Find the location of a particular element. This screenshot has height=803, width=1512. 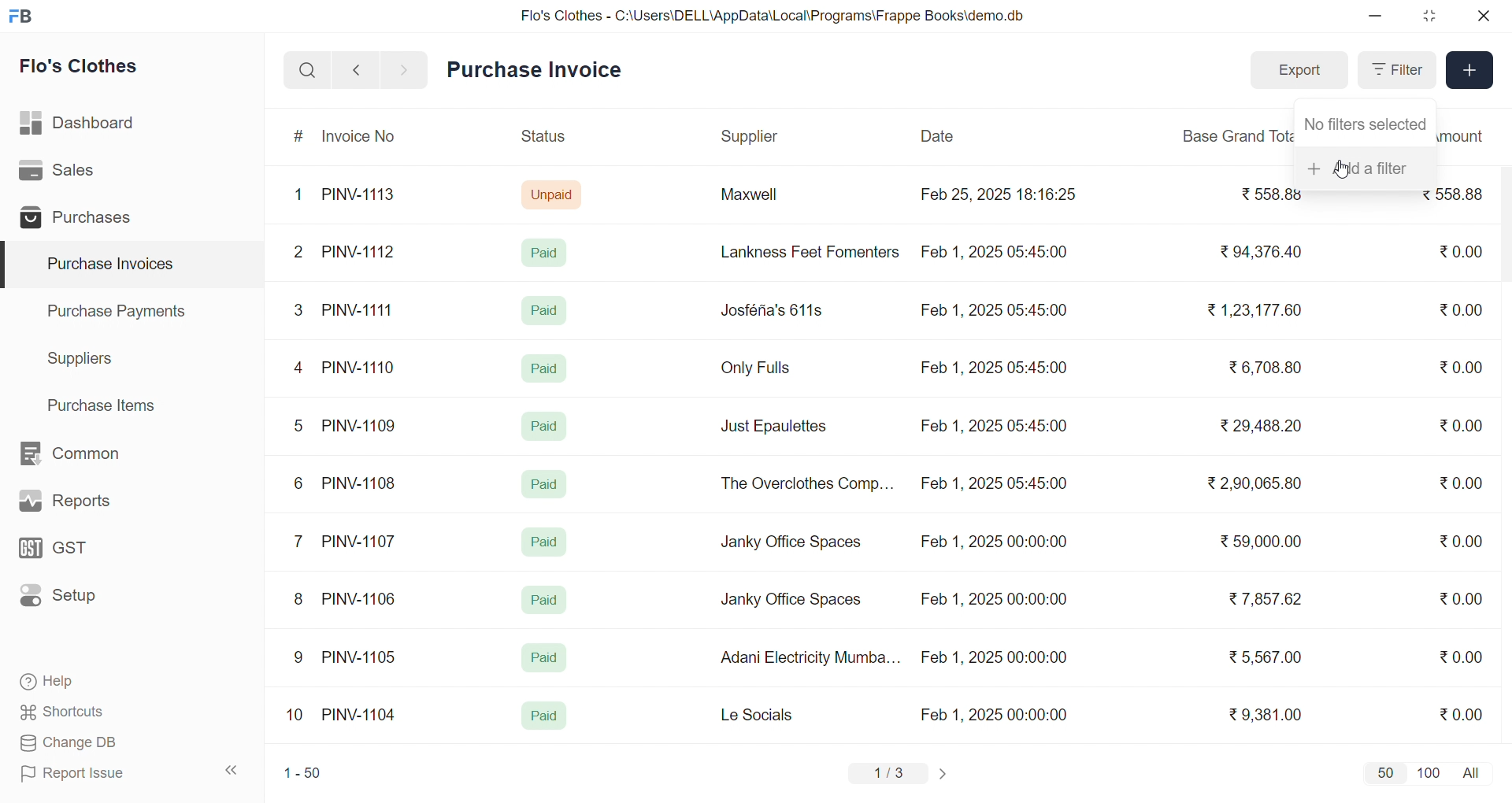

Flo's Clothes is located at coordinates (90, 68).